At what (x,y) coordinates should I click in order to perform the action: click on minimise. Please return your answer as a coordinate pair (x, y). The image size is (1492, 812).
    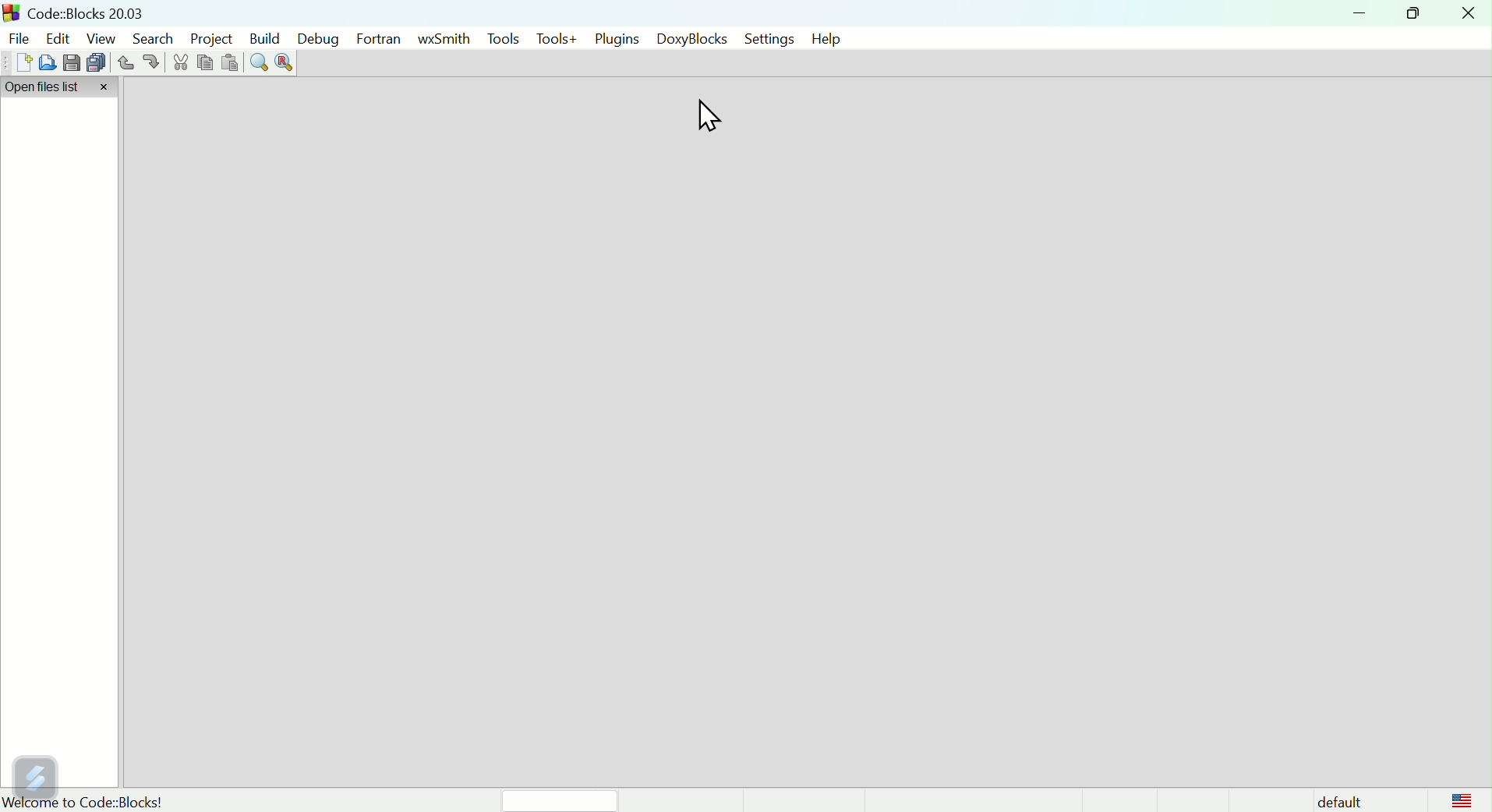
    Looking at the image, I should click on (1360, 12).